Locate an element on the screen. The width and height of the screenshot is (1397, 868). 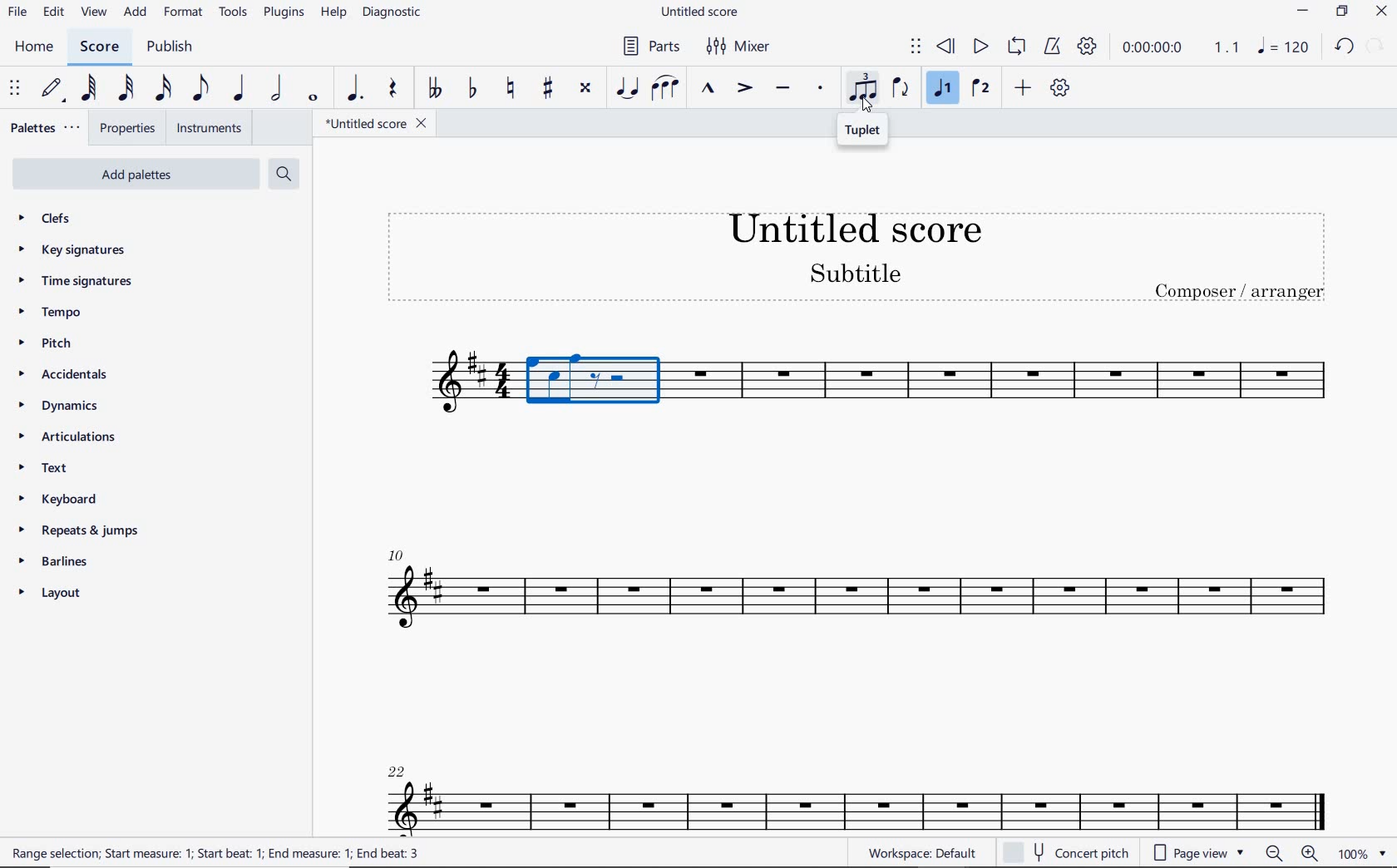
UNDO is located at coordinates (1345, 47).